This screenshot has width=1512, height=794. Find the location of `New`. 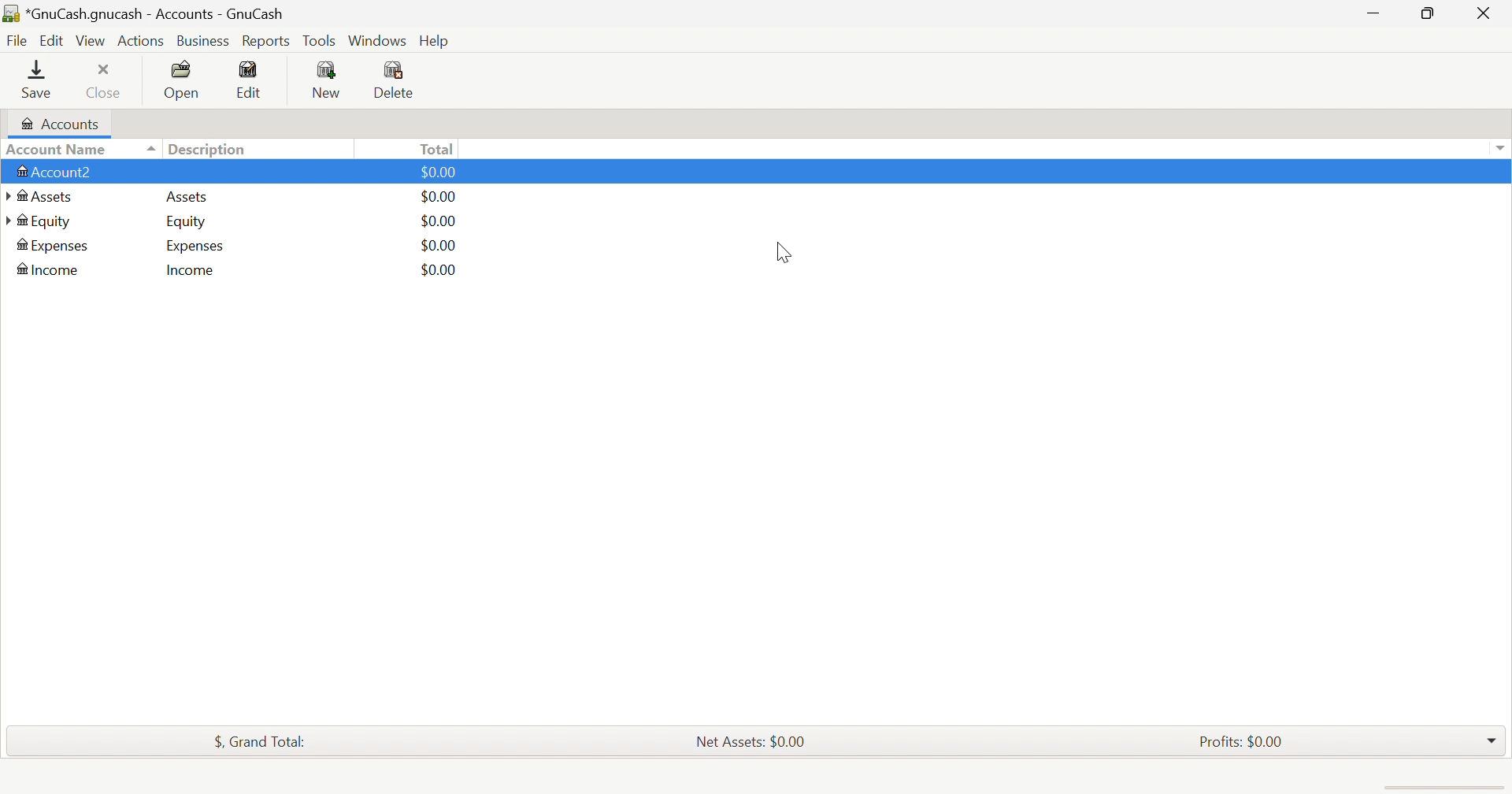

New is located at coordinates (328, 80).